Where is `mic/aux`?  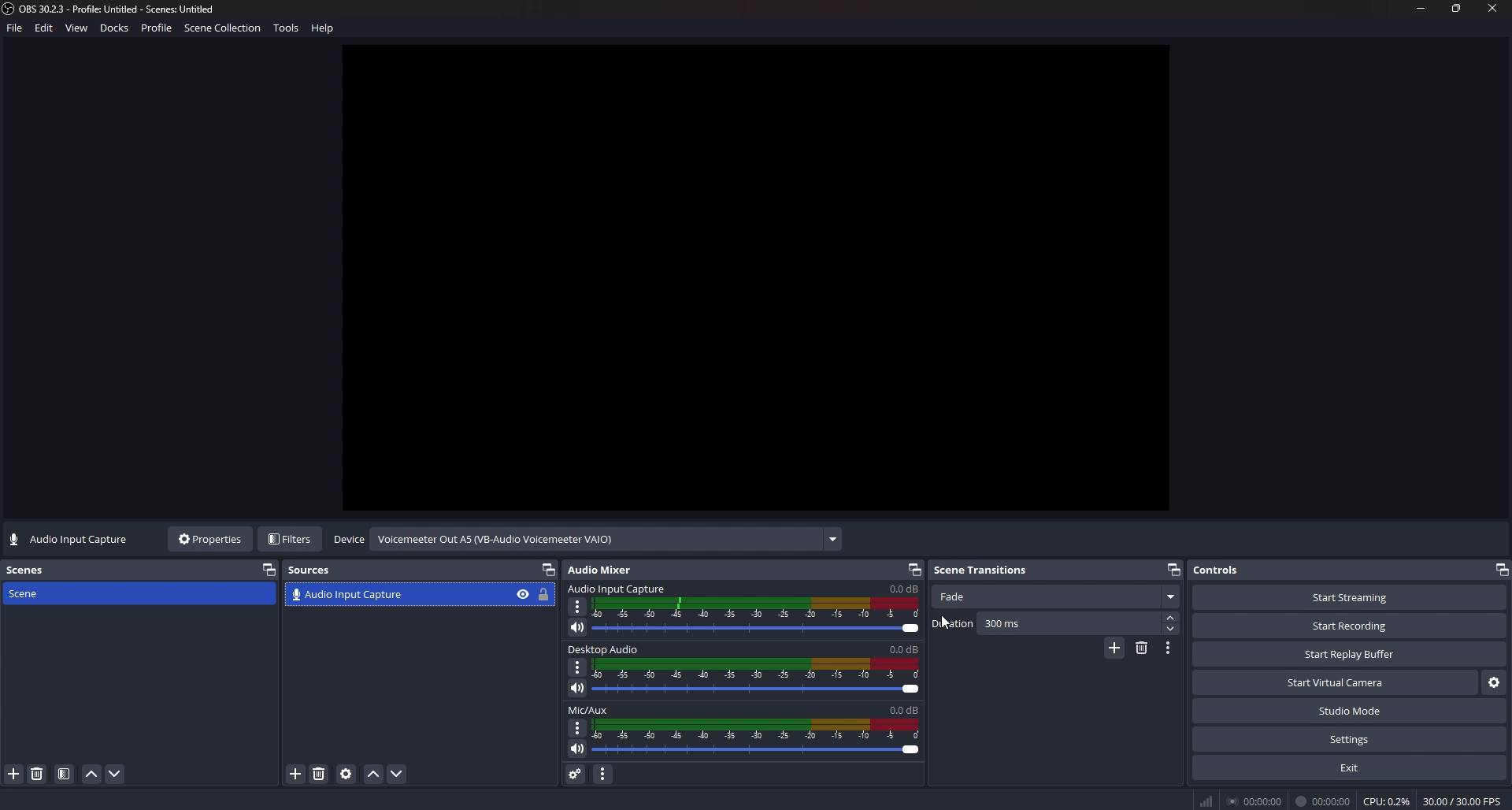
mic/aux is located at coordinates (591, 650).